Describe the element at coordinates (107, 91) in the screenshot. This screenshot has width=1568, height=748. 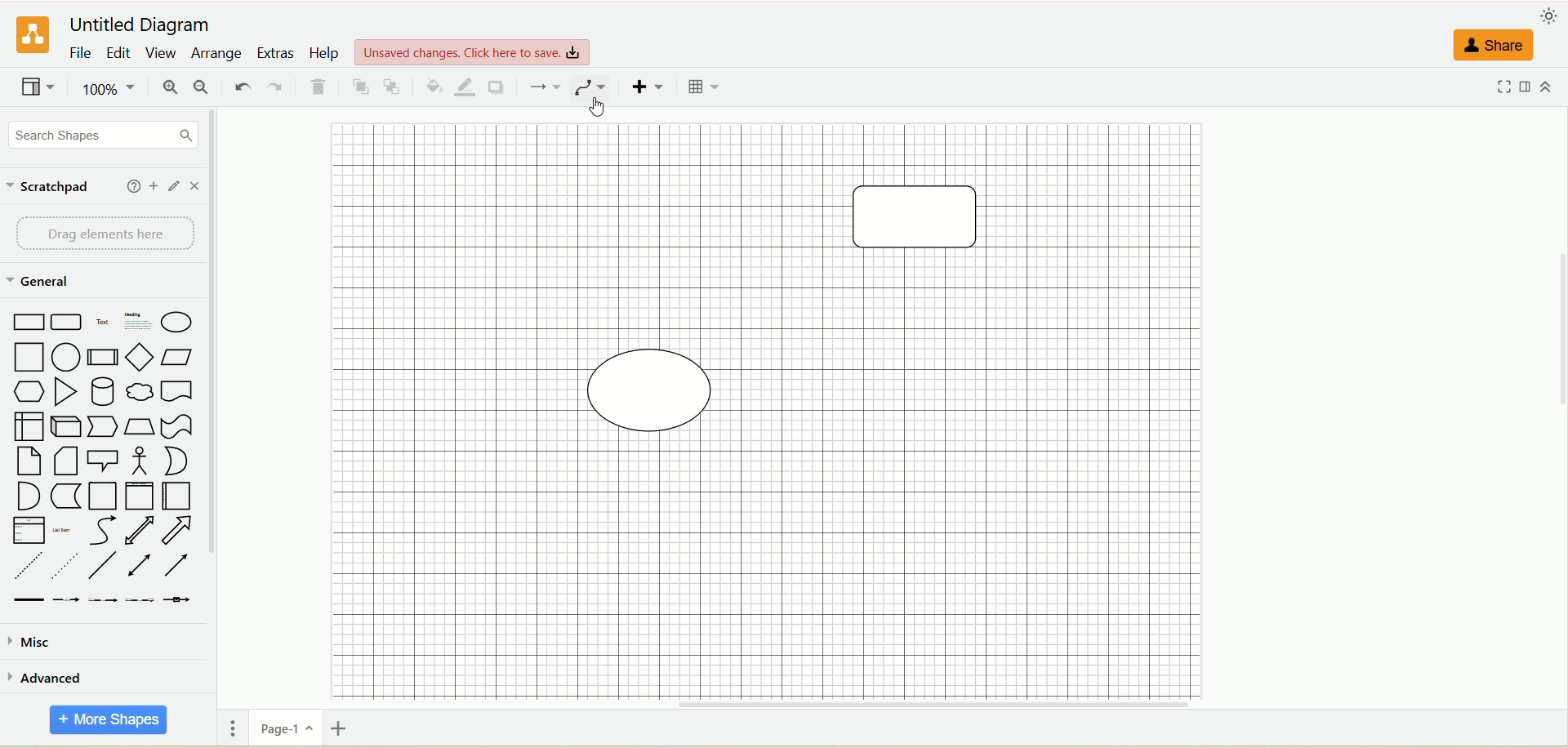
I see `zoom factor` at that location.